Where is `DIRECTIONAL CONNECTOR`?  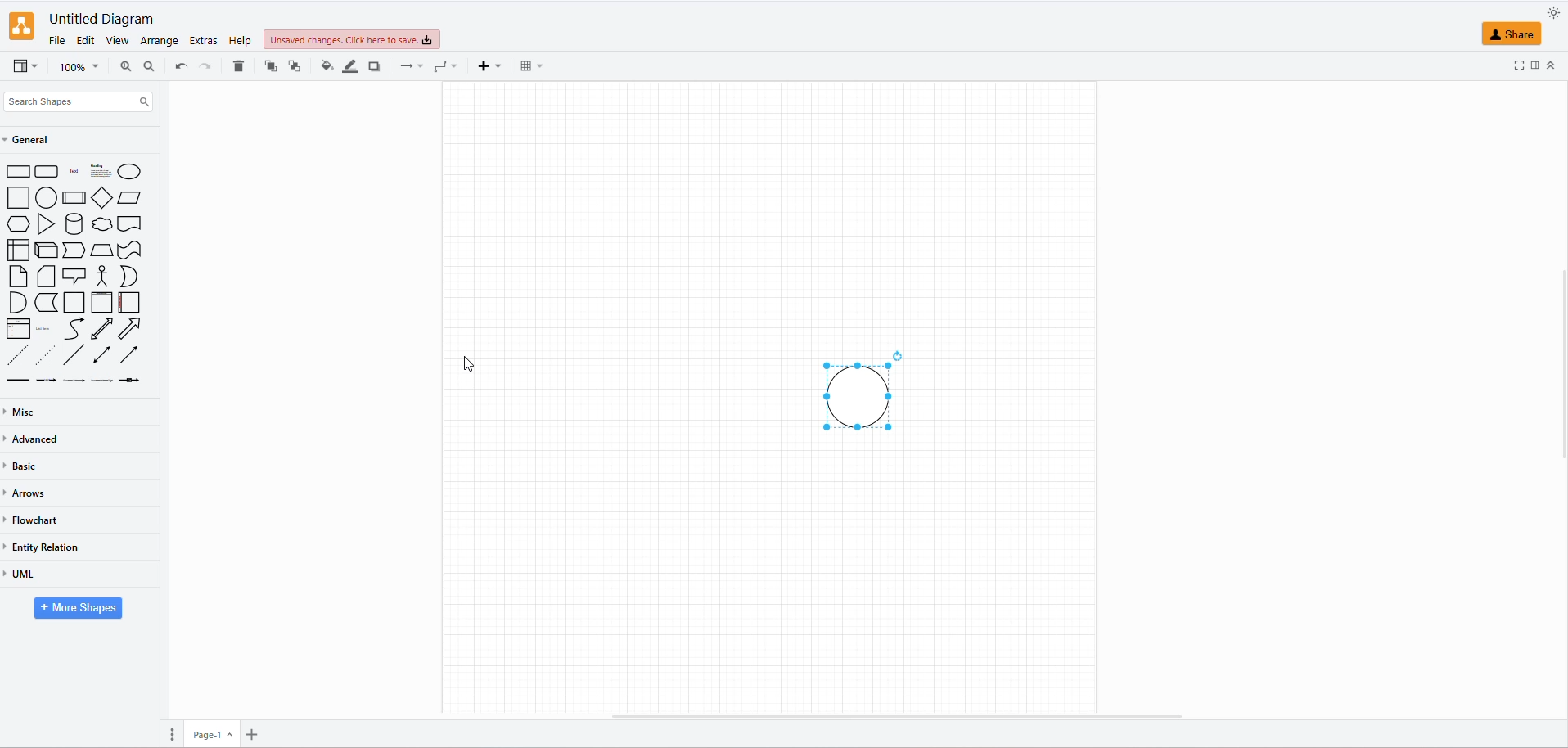 DIRECTIONAL CONNECTOR is located at coordinates (127, 355).